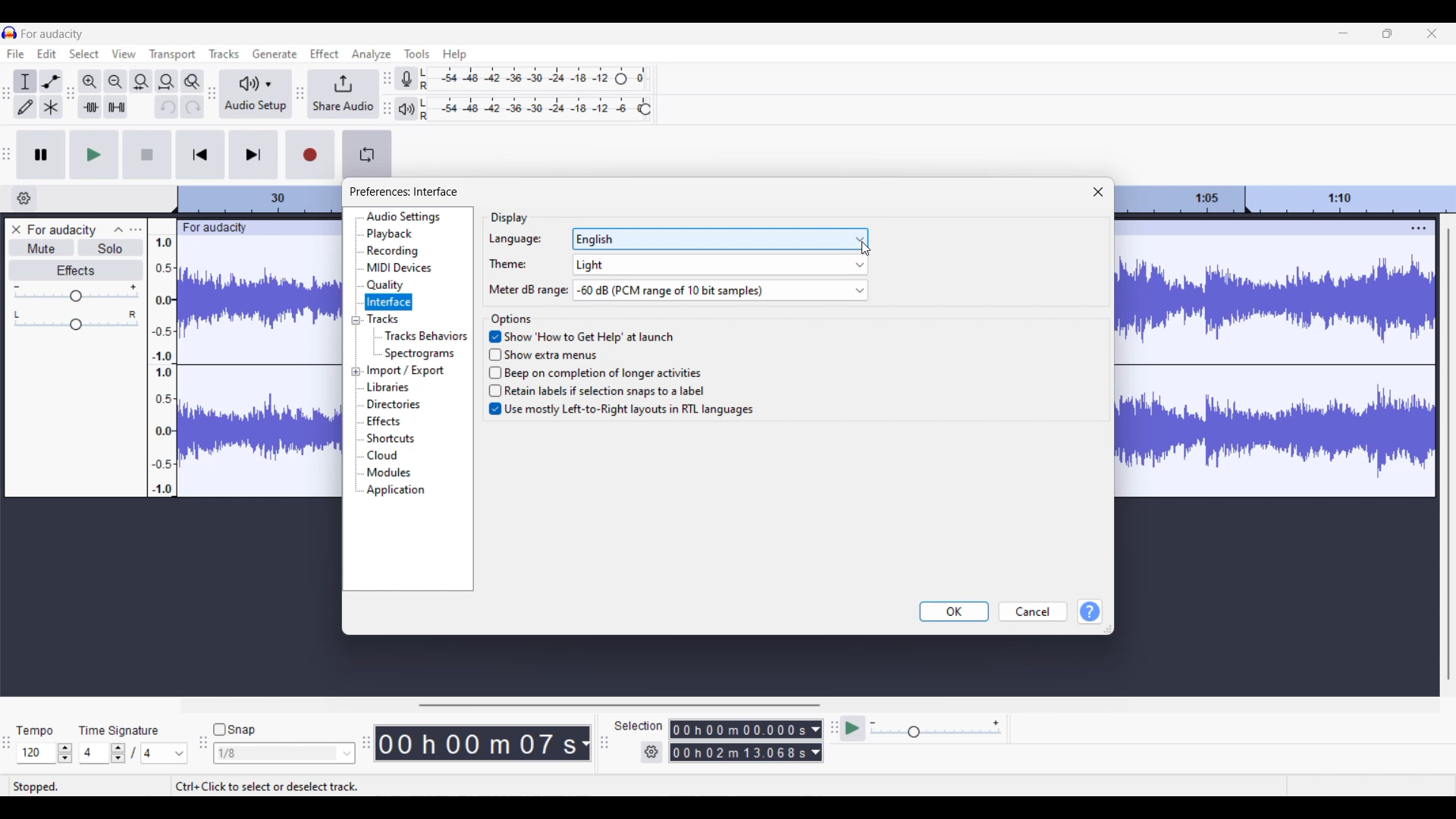 The width and height of the screenshot is (1456, 819). What do you see at coordinates (404, 192) in the screenshot?
I see `preferences interface` at bounding box center [404, 192].